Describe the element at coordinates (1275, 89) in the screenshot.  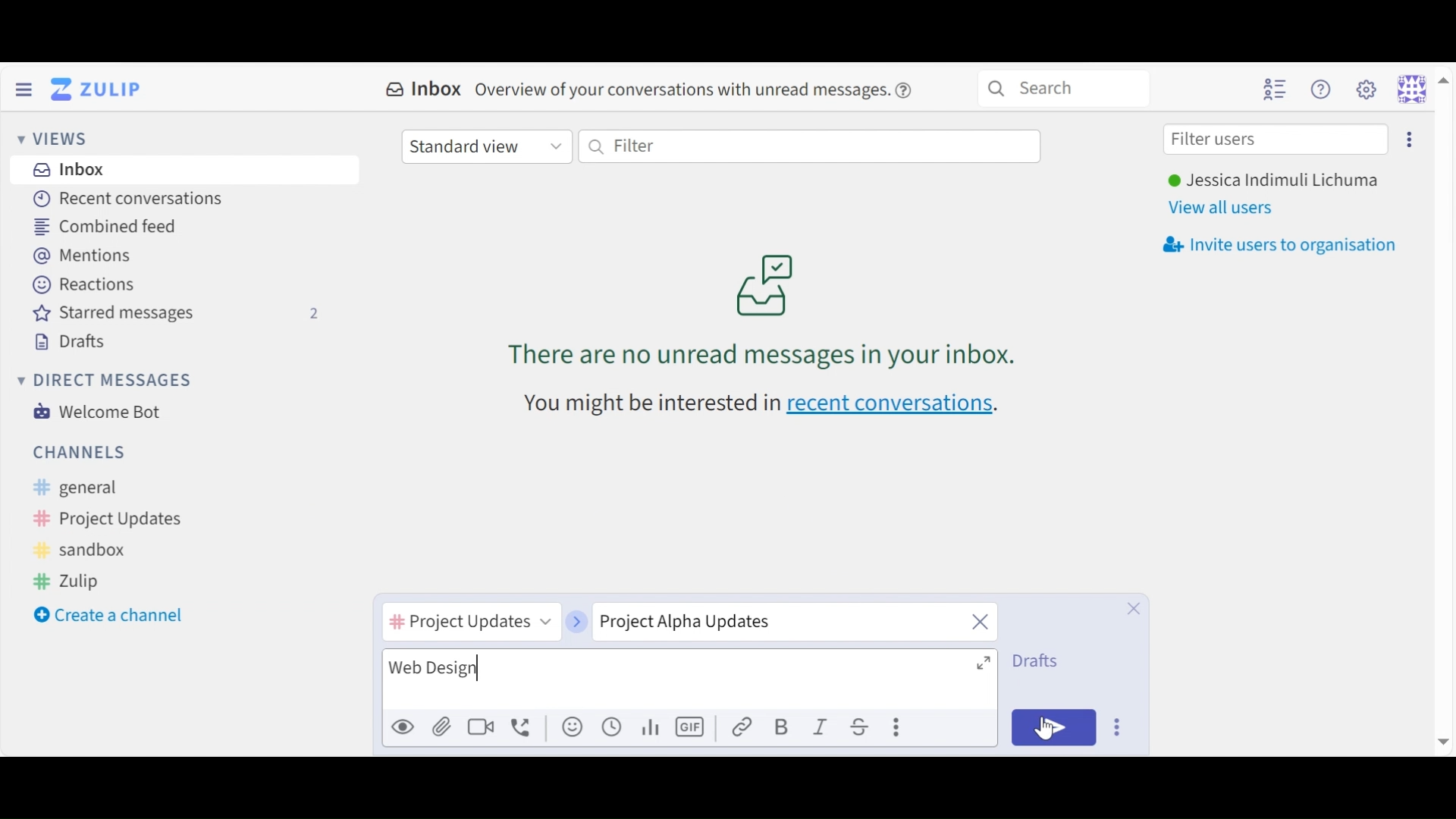
I see `Hide user list` at that location.